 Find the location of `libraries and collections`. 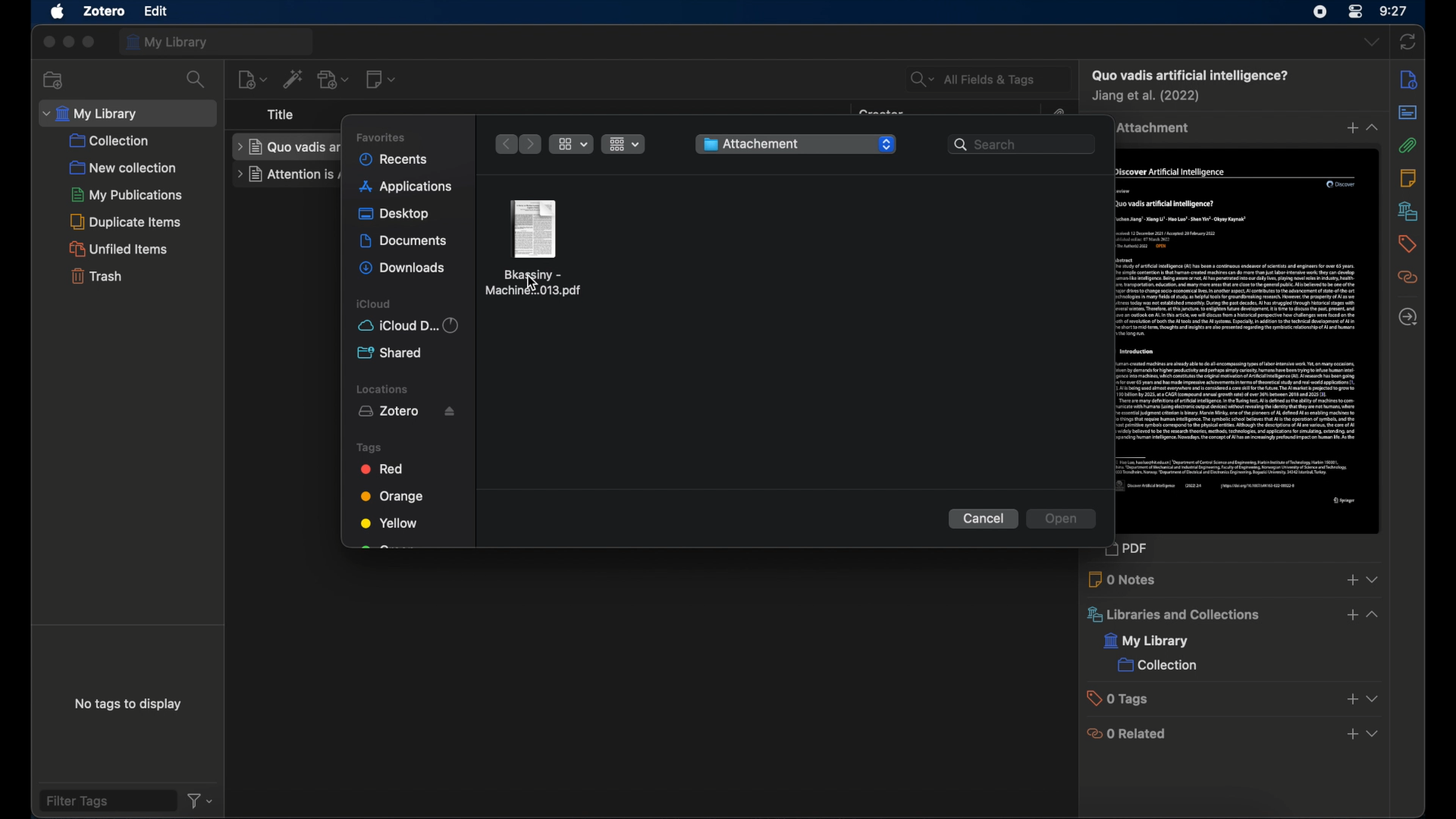

libraries and collections is located at coordinates (1407, 211).